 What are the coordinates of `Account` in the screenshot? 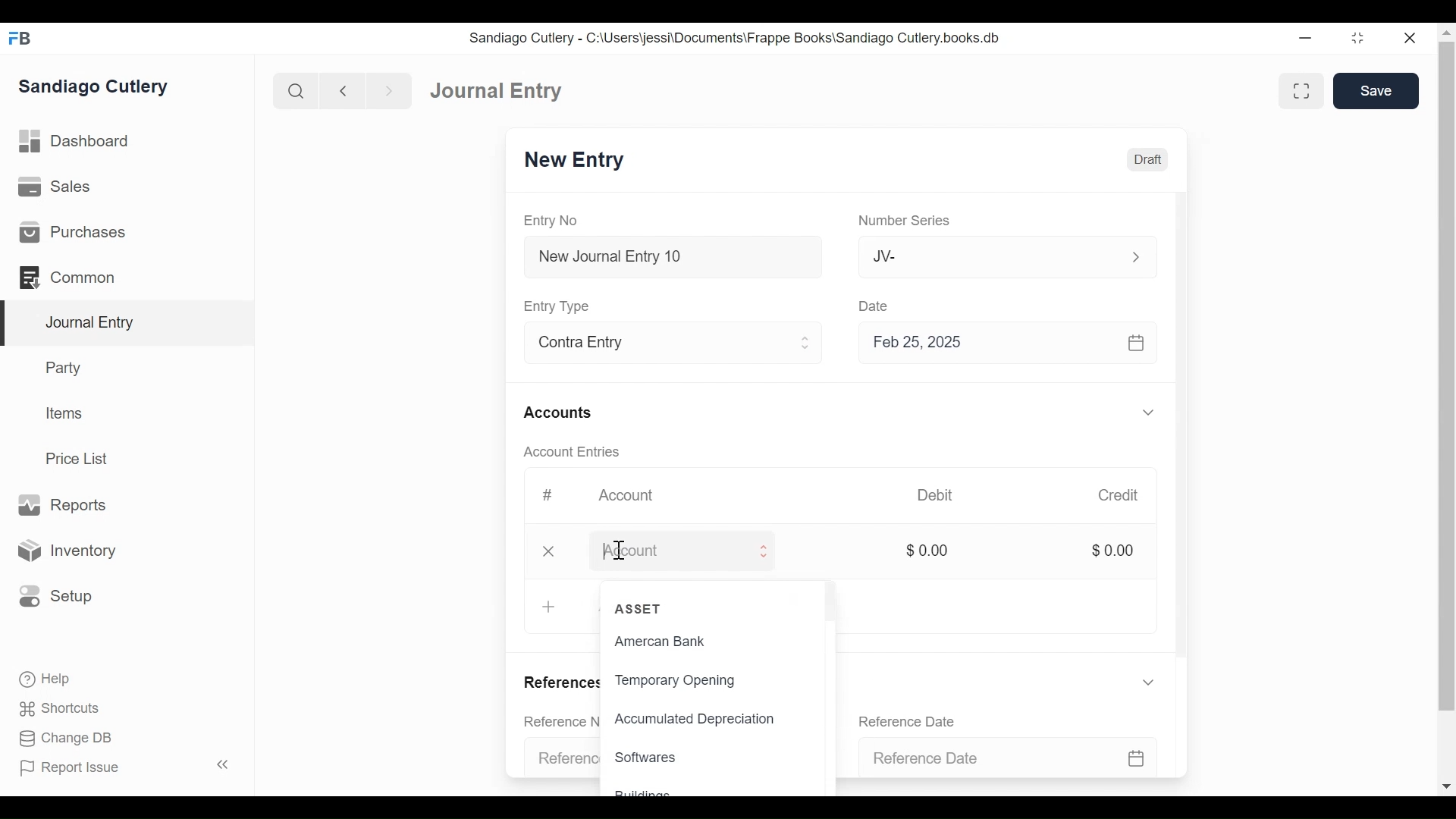 It's located at (634, 497).